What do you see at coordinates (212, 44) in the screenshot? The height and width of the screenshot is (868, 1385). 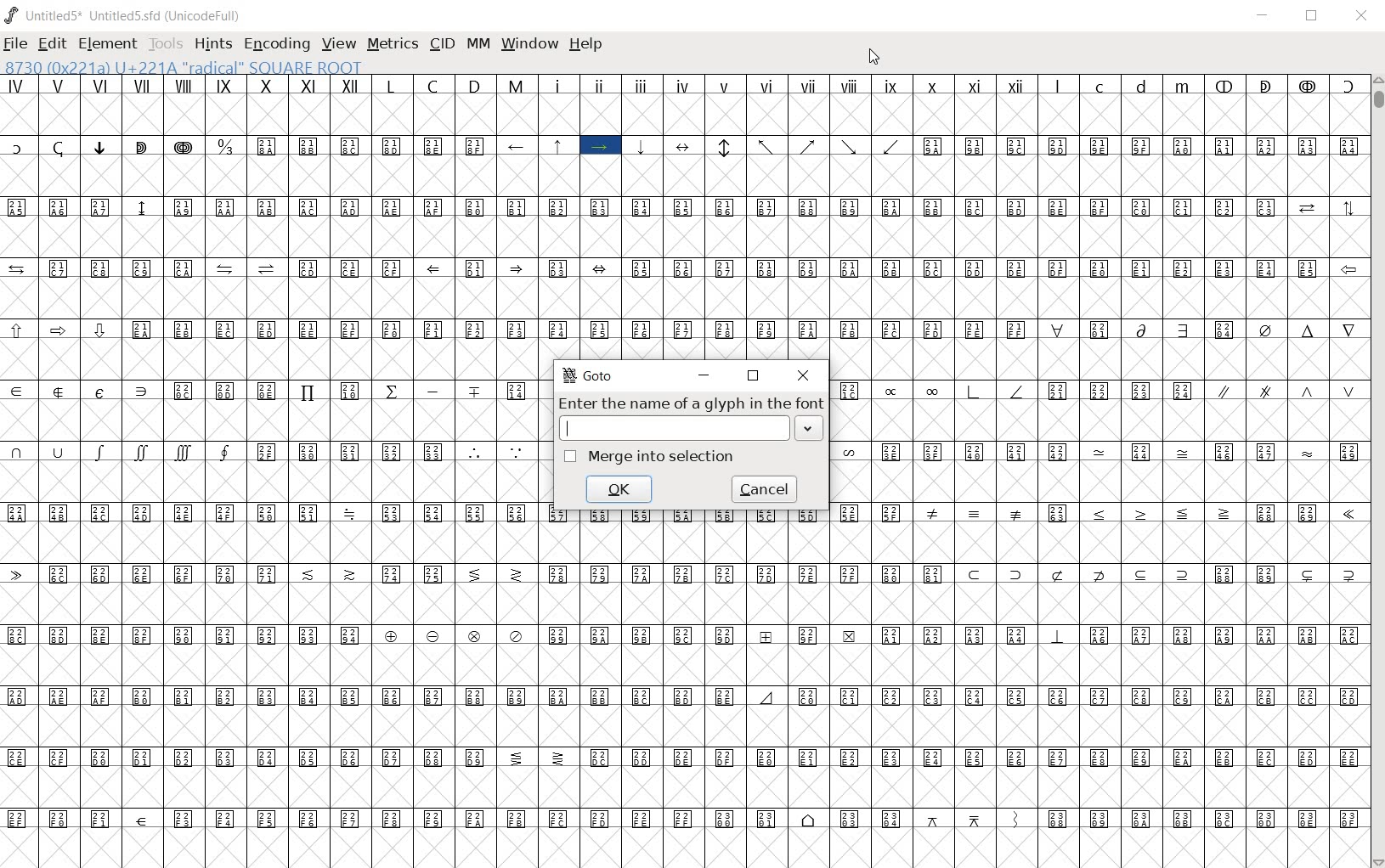 I see `HINTS` at bounding box center [212, 44].